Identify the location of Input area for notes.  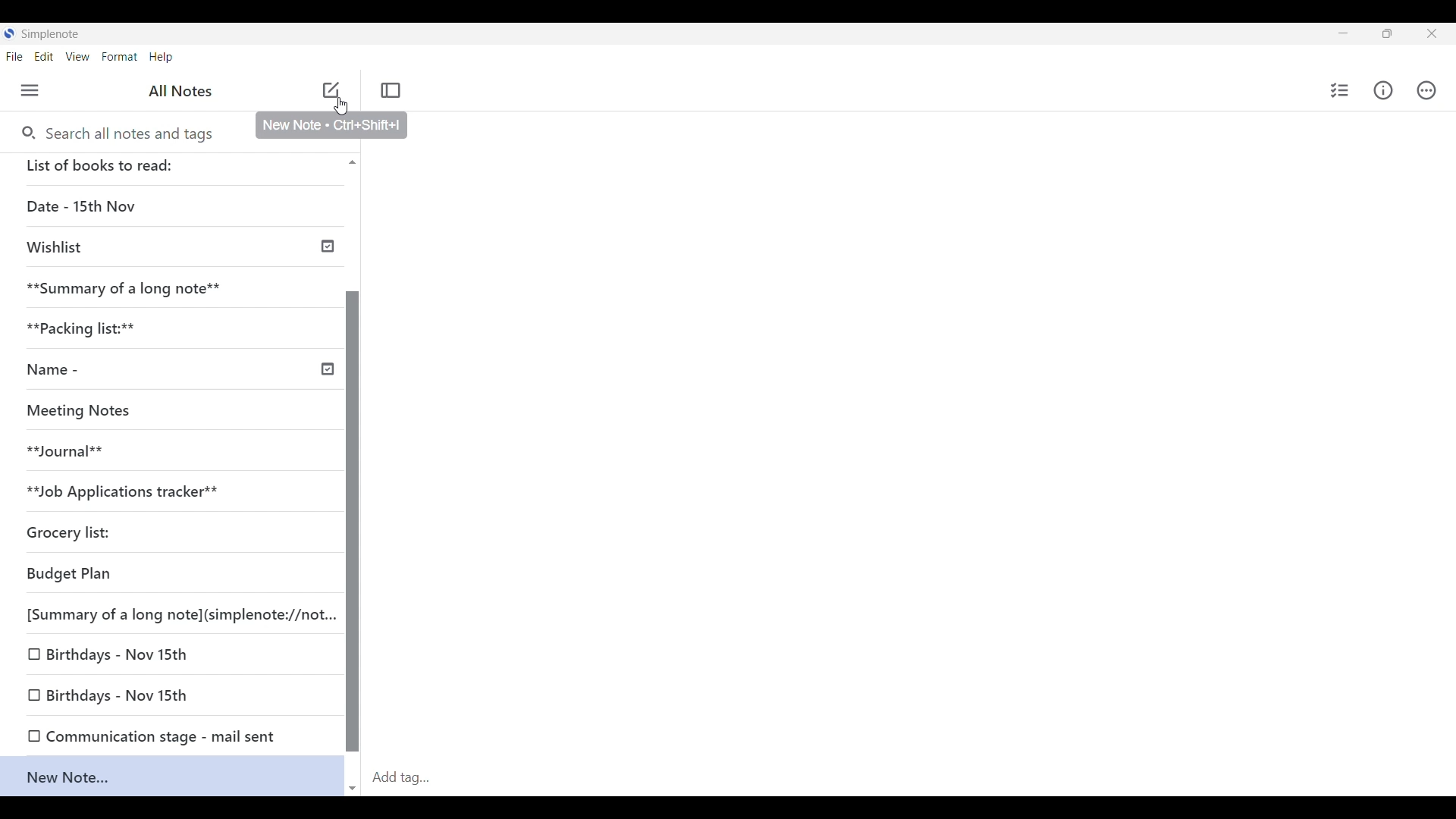
(905, 448).